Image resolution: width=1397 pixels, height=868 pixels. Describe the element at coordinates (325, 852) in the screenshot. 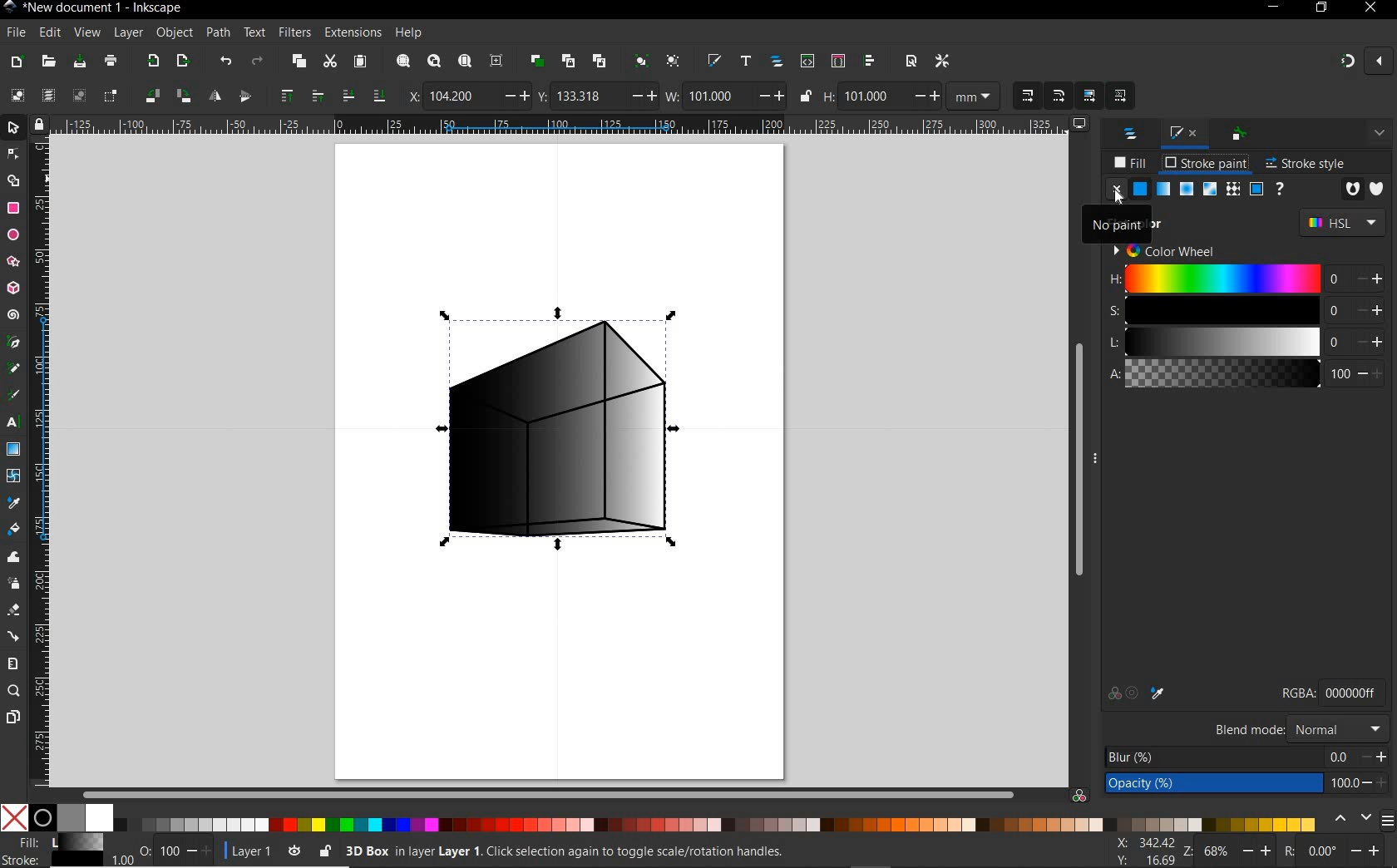

I see `LOCK OR UNLOCK CURRENT LAYER` at that location.